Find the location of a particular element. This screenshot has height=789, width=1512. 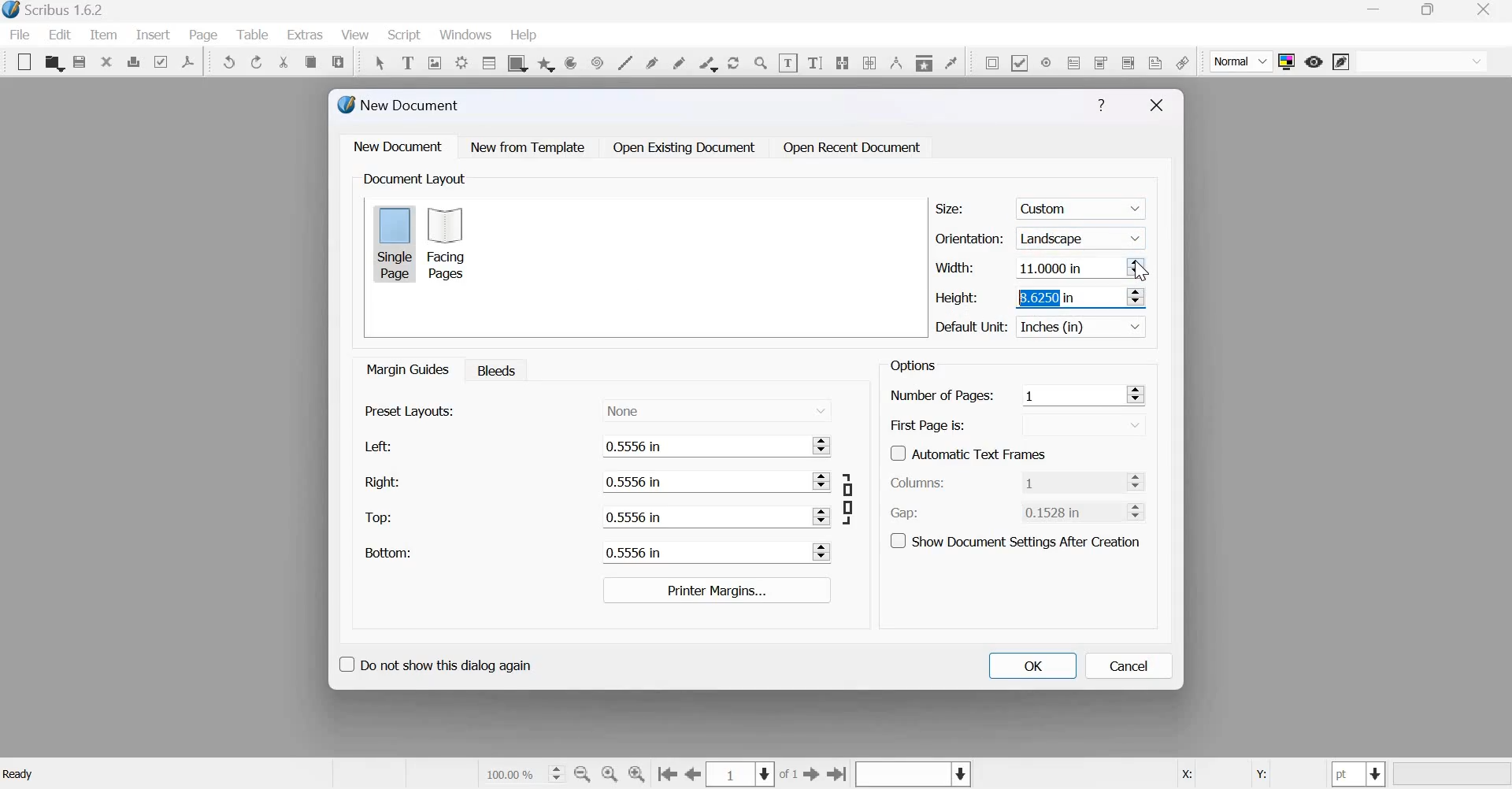

Number of Pages: is located at coordinates (942, 397).